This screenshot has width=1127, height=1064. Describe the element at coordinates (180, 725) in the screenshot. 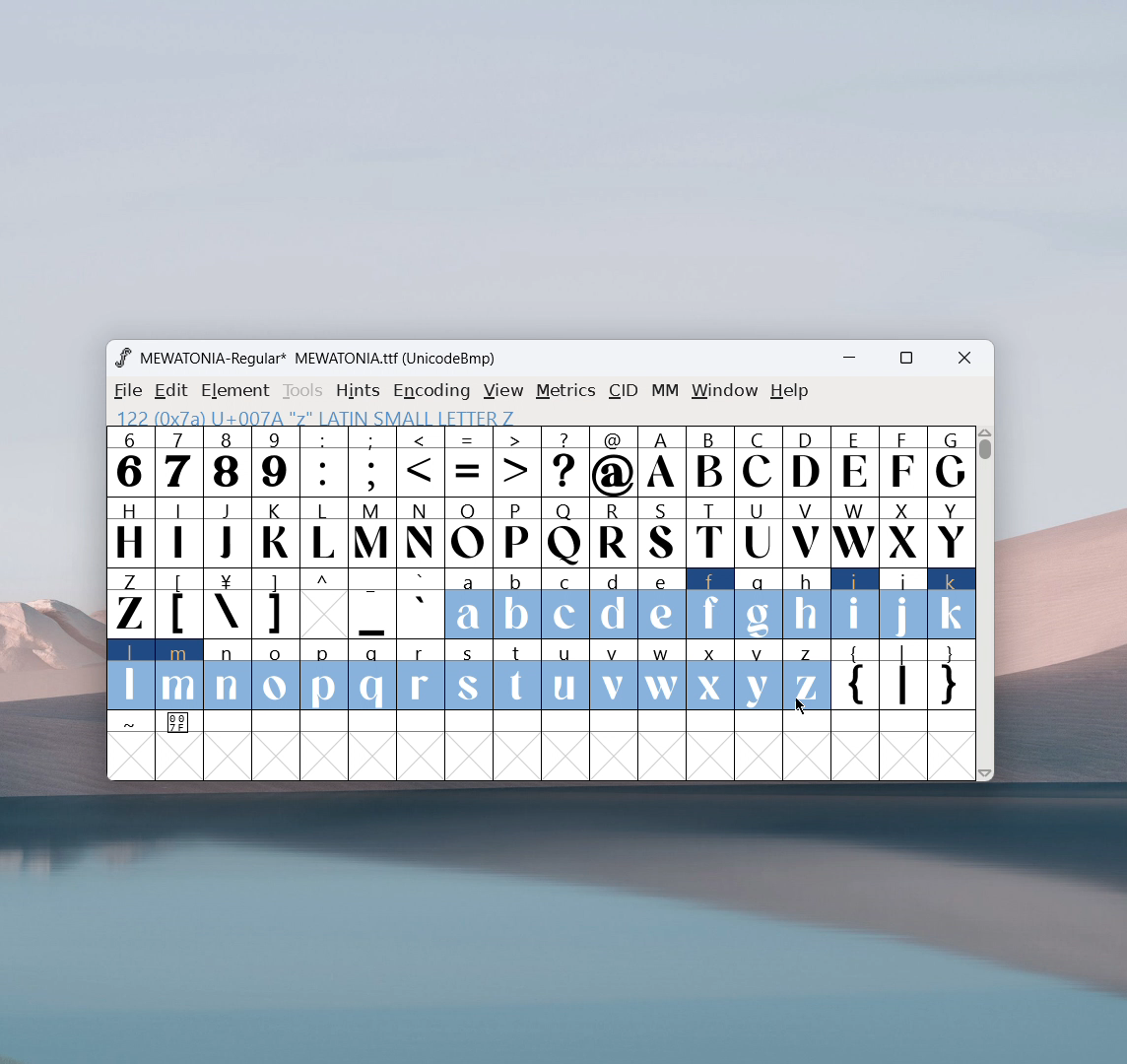

I see `0 0 7 F` at that location.